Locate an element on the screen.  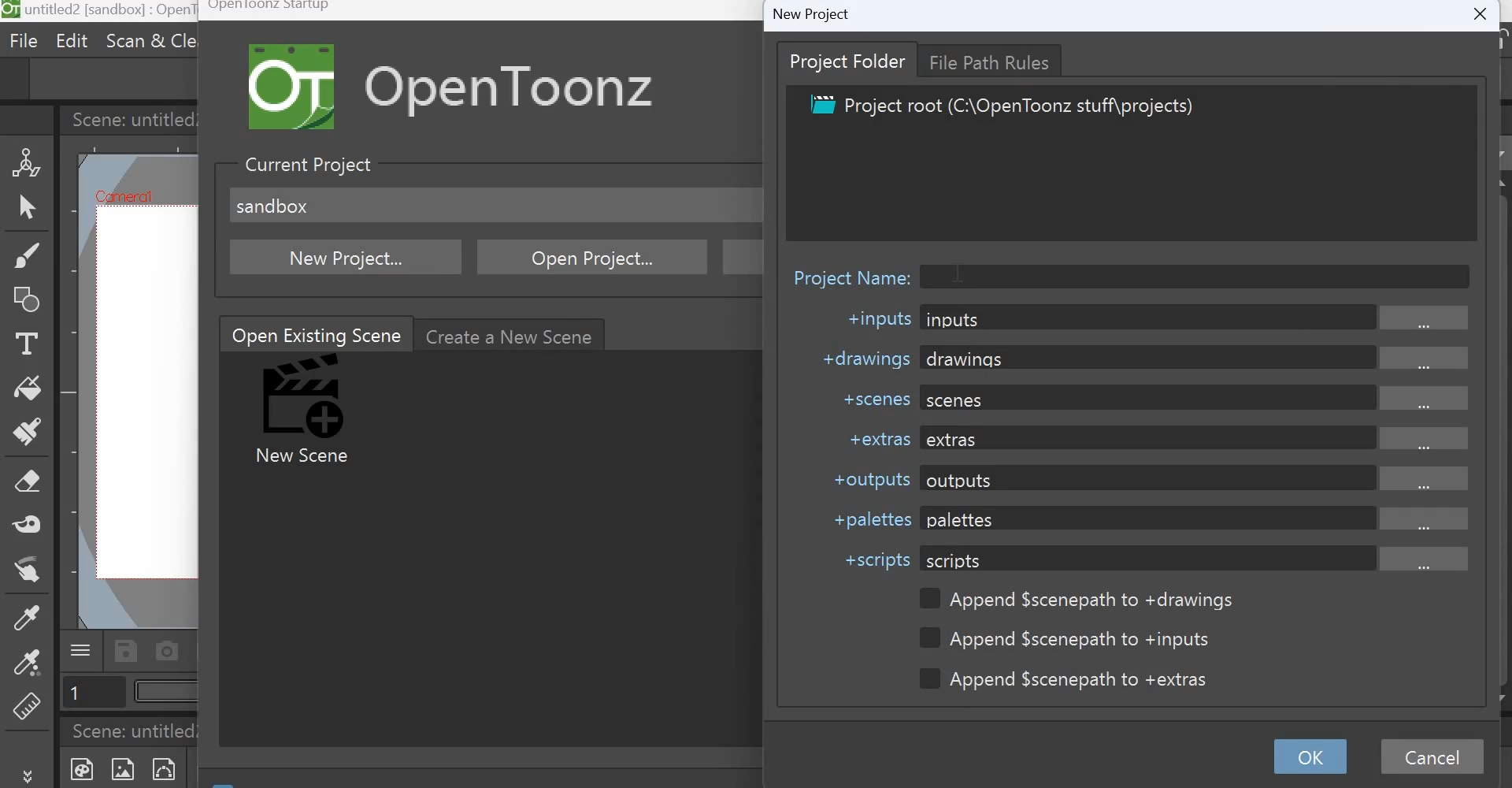
Style Picker tool is located at coordinates (24, 623).